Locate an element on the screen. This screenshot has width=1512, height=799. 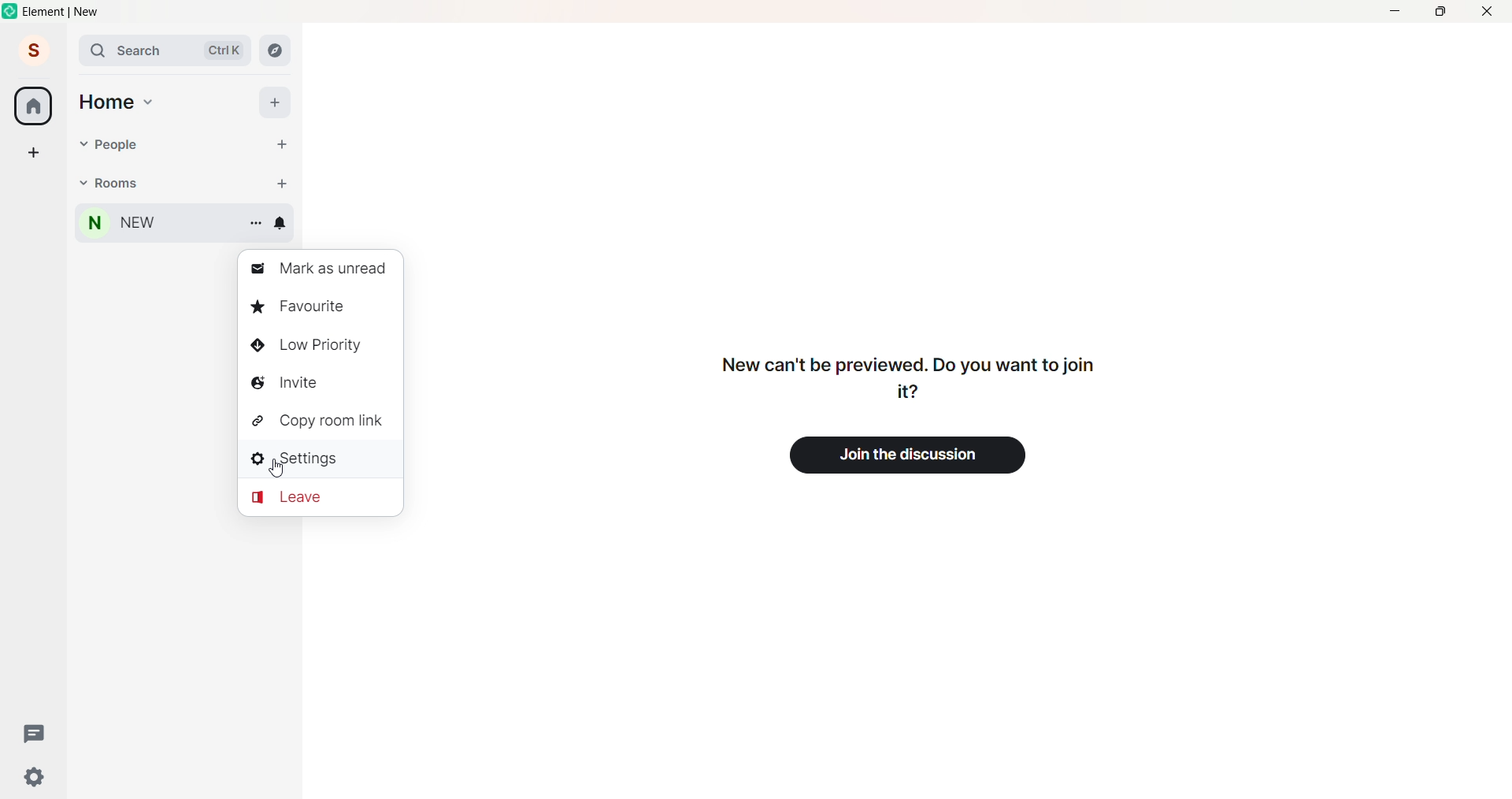
add is located at coordinates (273, 100).